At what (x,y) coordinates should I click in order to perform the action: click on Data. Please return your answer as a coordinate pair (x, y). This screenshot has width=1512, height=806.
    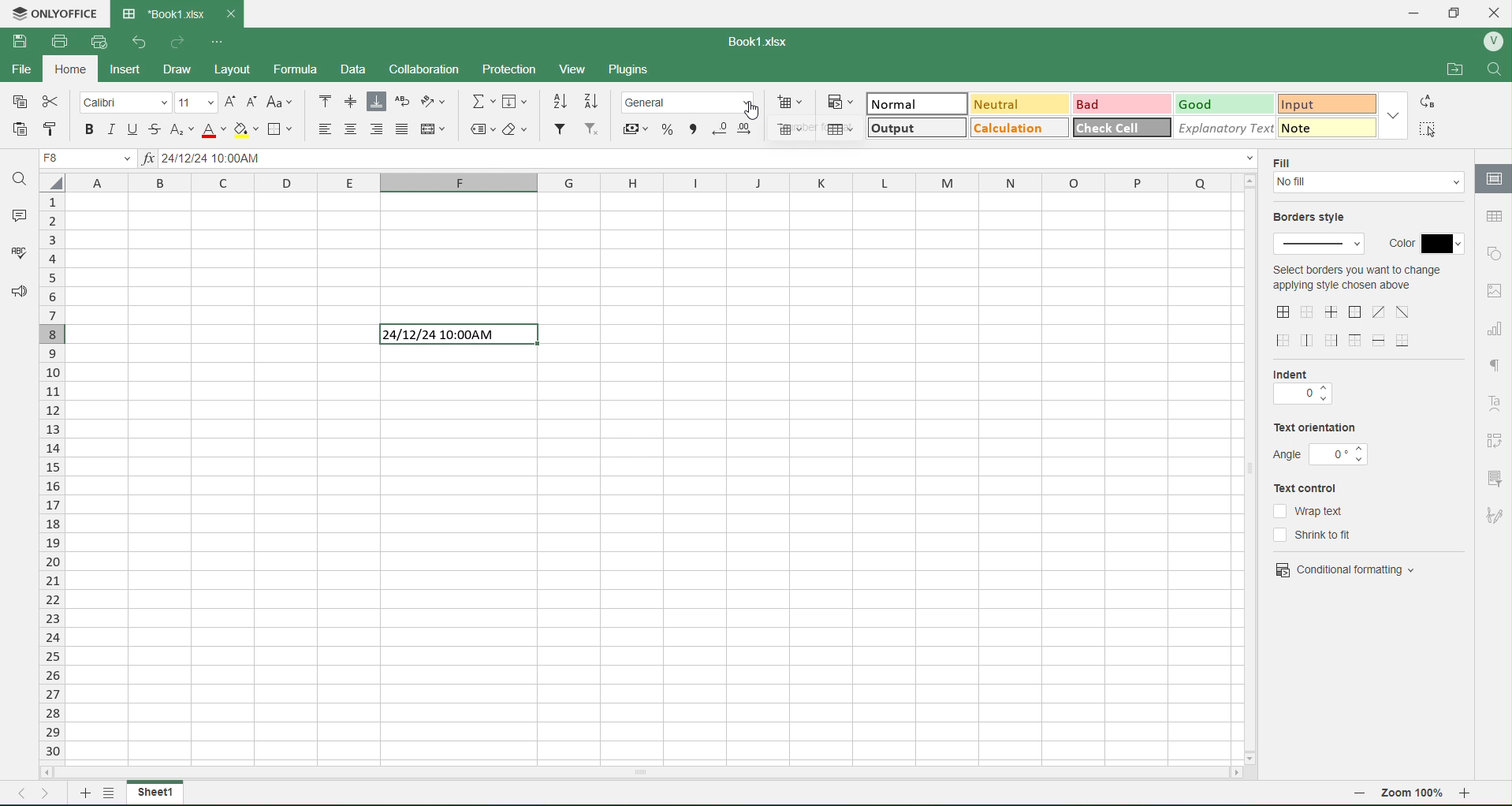
    Looking at the image, I should click on (362, 69).